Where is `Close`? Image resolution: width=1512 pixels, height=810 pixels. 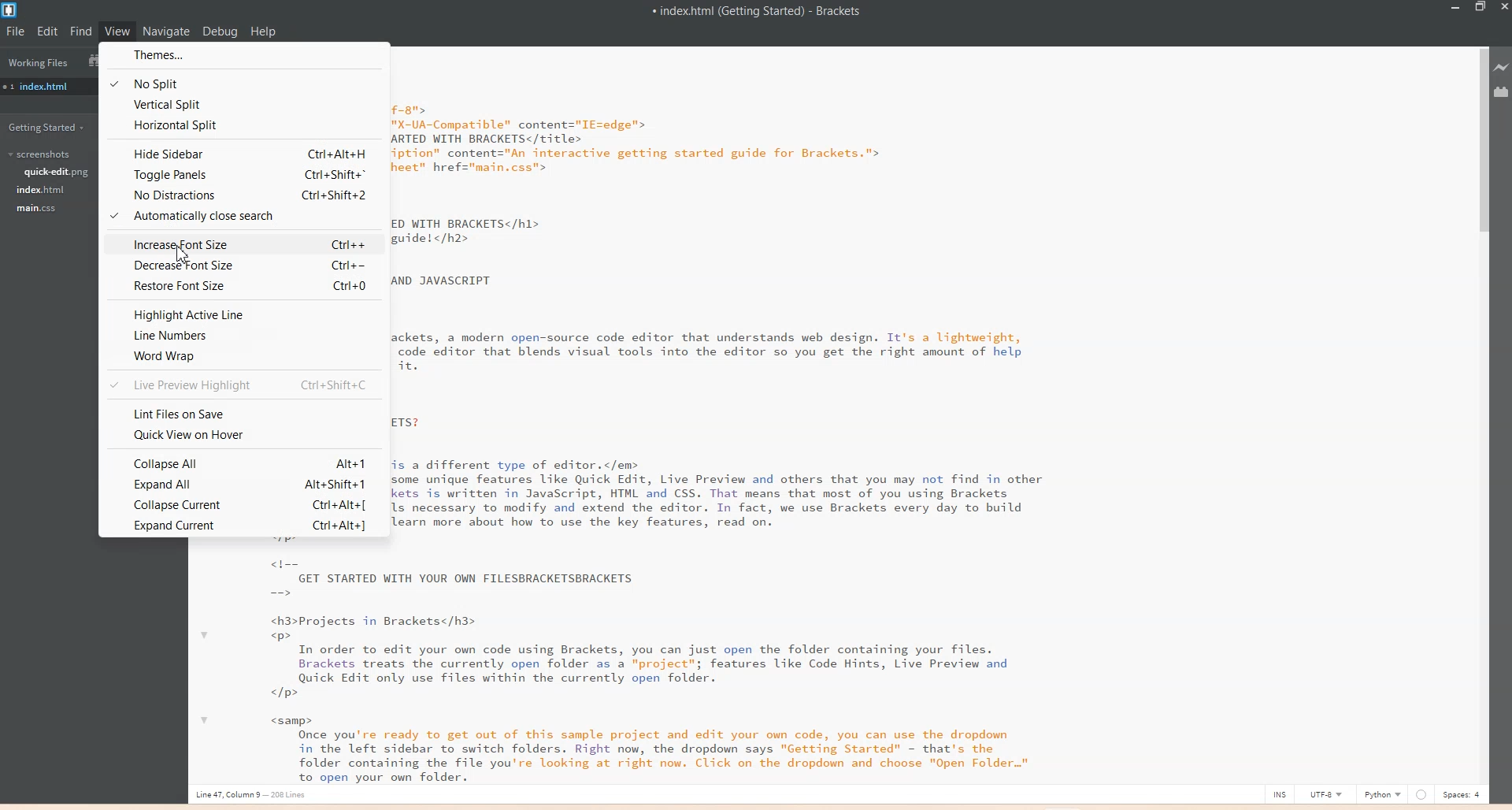 Close is located at coordinates (1503, 8).